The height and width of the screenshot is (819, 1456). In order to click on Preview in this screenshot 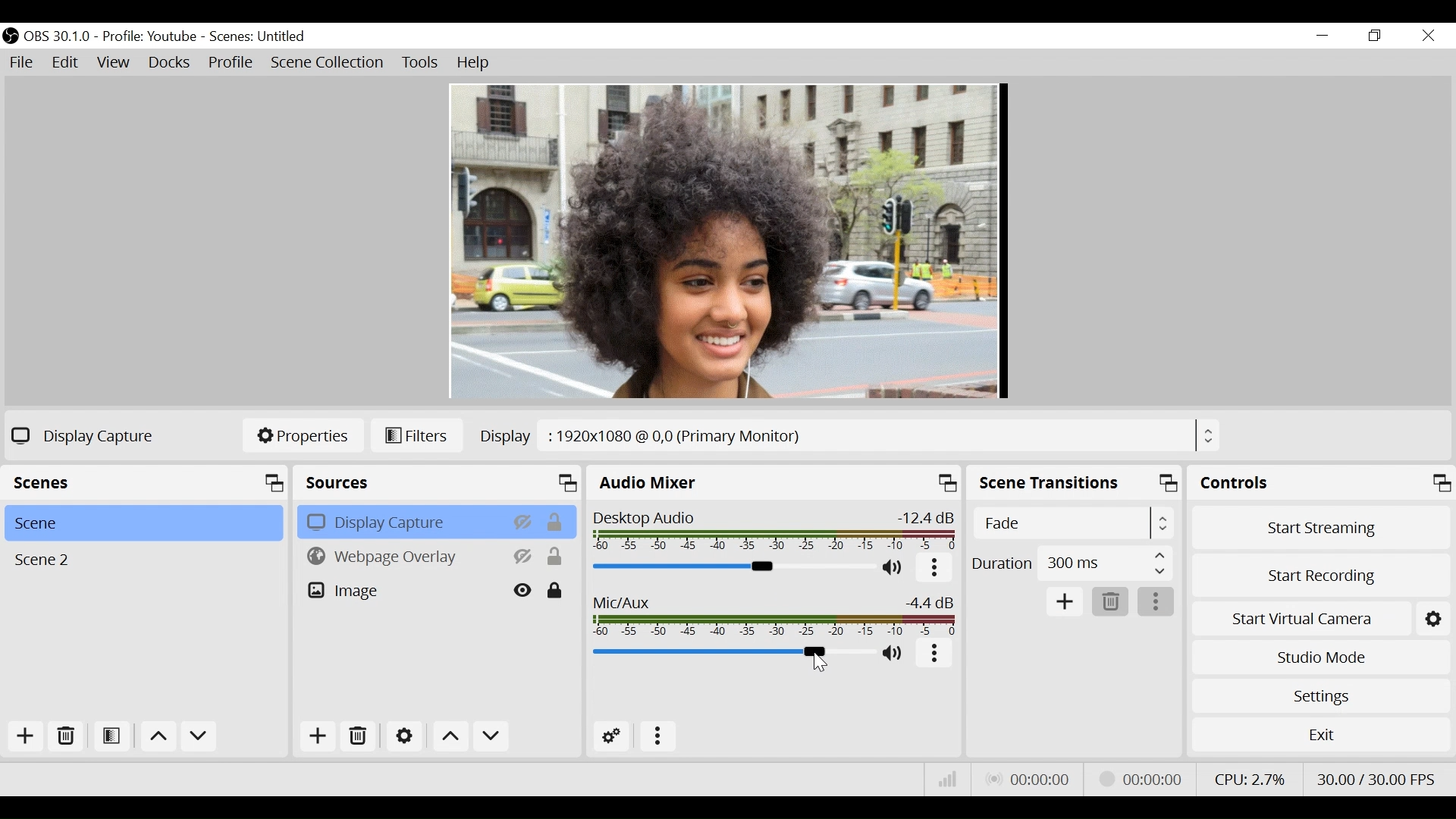, I will do `click(730, 242)`.